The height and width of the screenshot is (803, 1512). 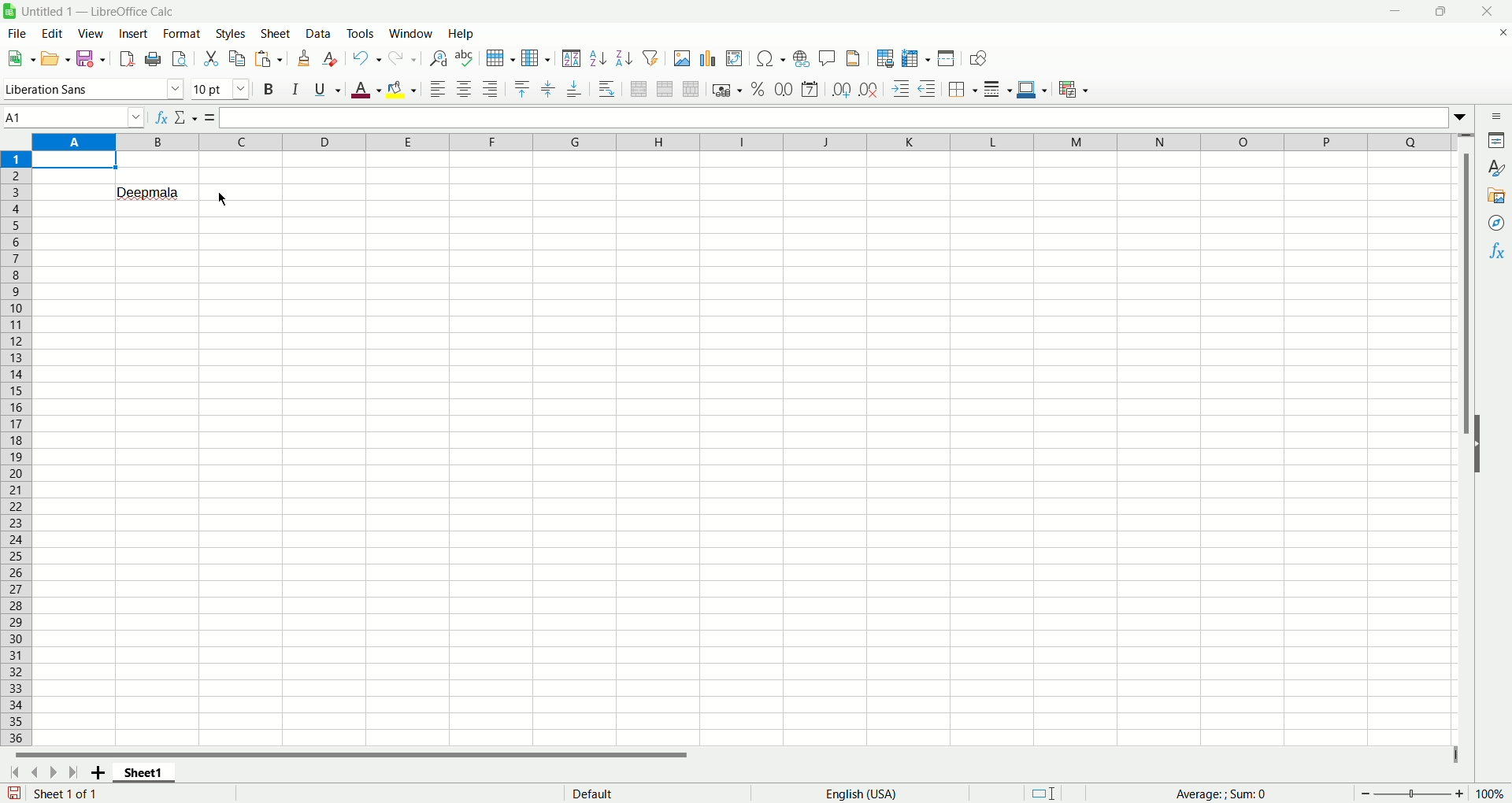 What do you see at coordinates (917, 59) in the screenshot?
I see `Freeze rows and columns` at bounding box center [917, 59].